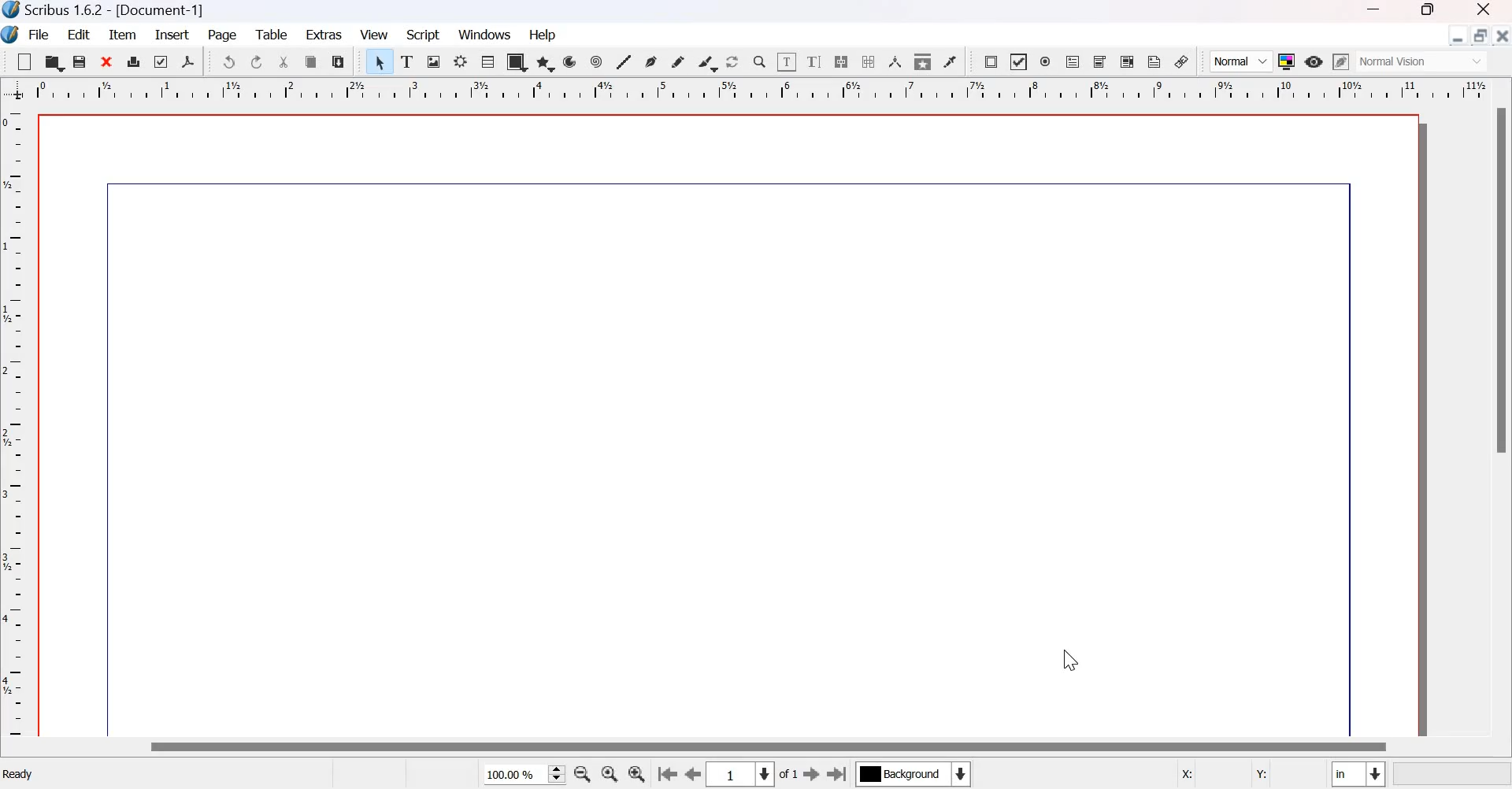  Describe the element at coordinates (1287, 61) in the screenshot. I see `Toggle color management system` at that location.